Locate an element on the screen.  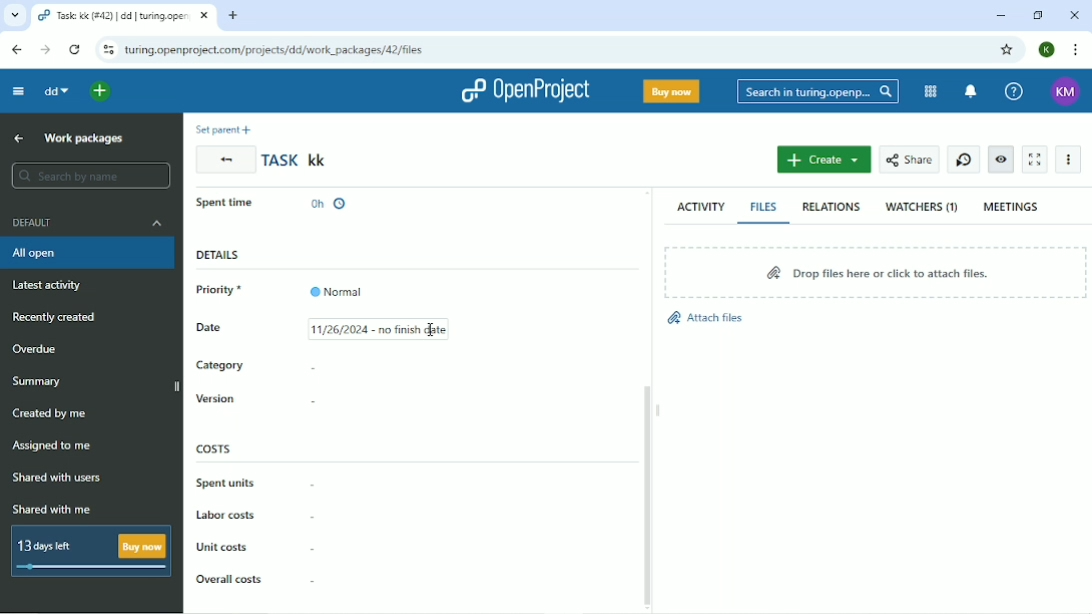
Priority * is located at coordinates (227, 290).